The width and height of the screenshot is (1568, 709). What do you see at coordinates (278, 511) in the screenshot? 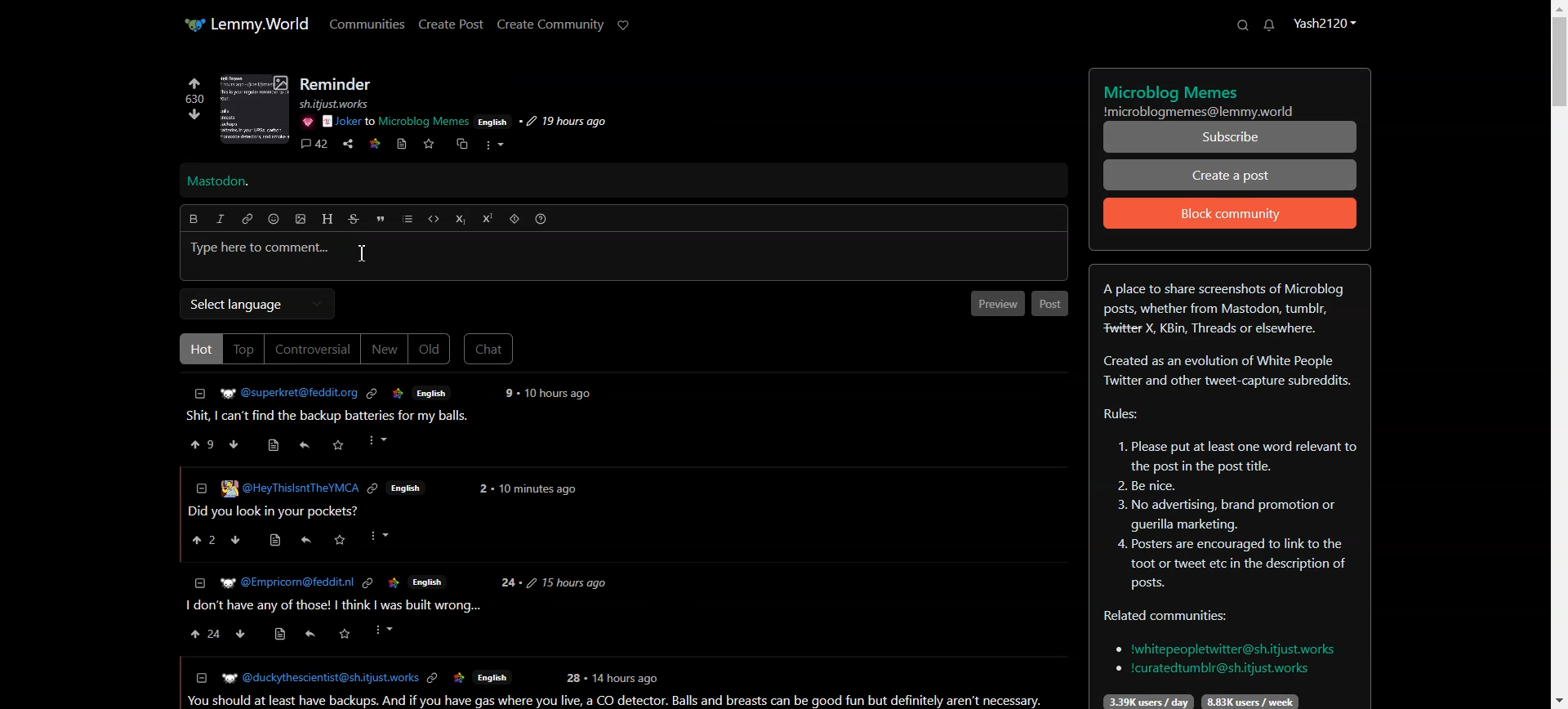
I see `Did you look in your pockets?` at bounding box center [278, 511].